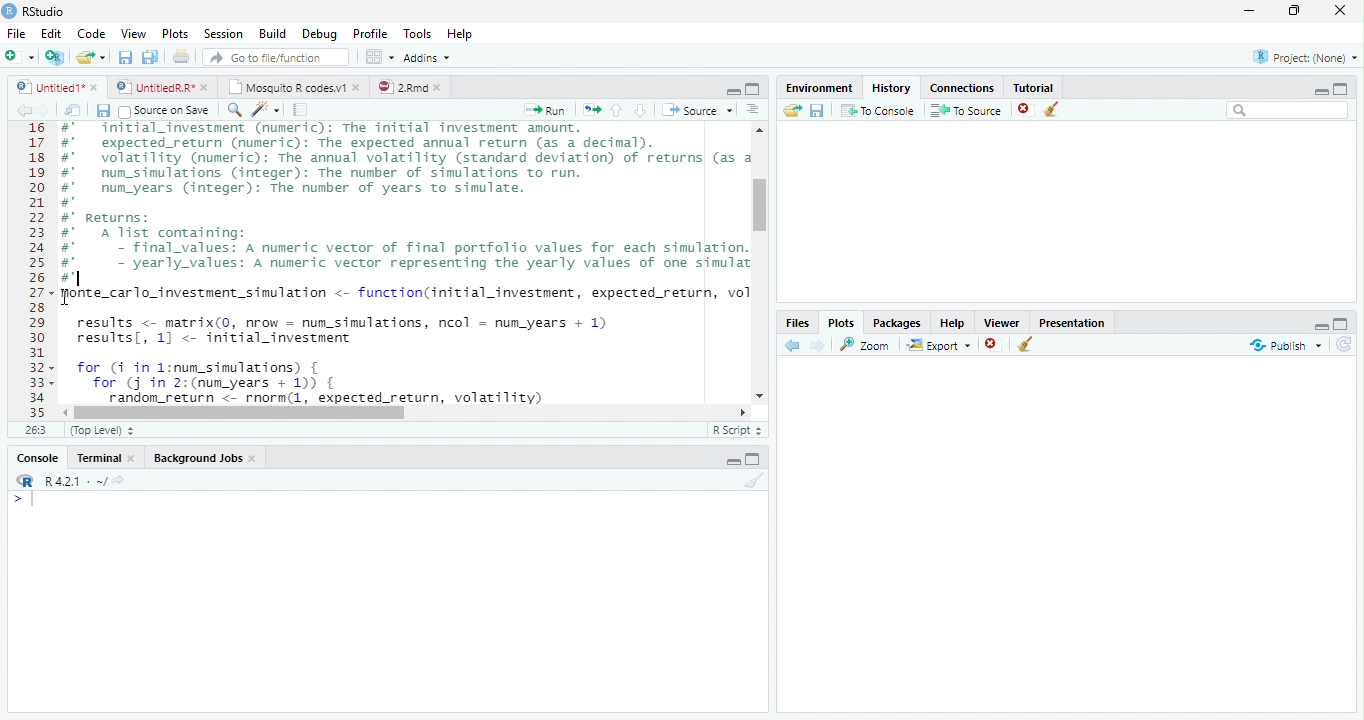 This screenshot has width=1364, height=720. Describe the element at coordinates (64, 412) in the screenshot. I see `Scroll Left` at that location.